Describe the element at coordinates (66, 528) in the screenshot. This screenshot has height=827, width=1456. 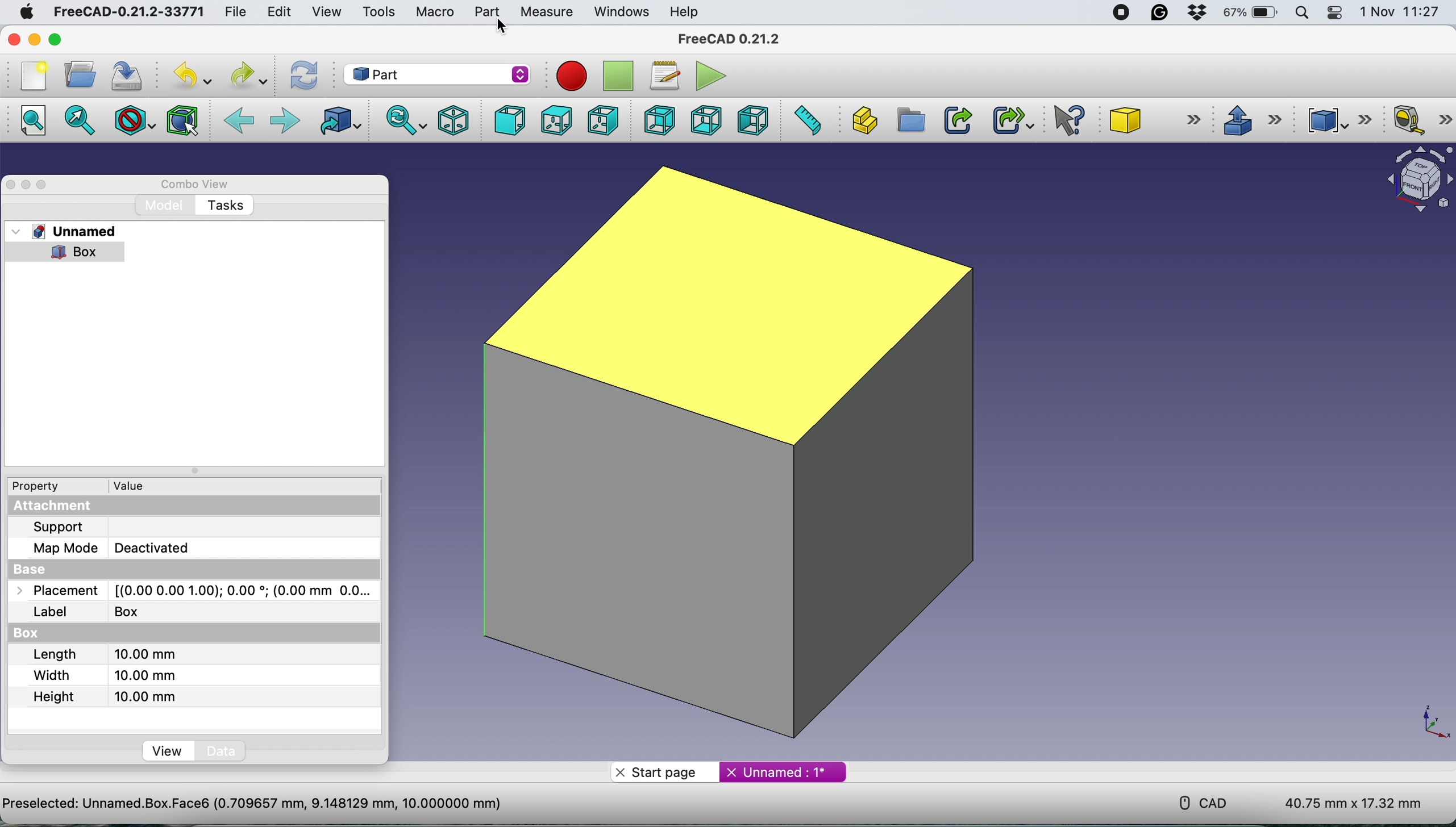
I see `support` at that location.